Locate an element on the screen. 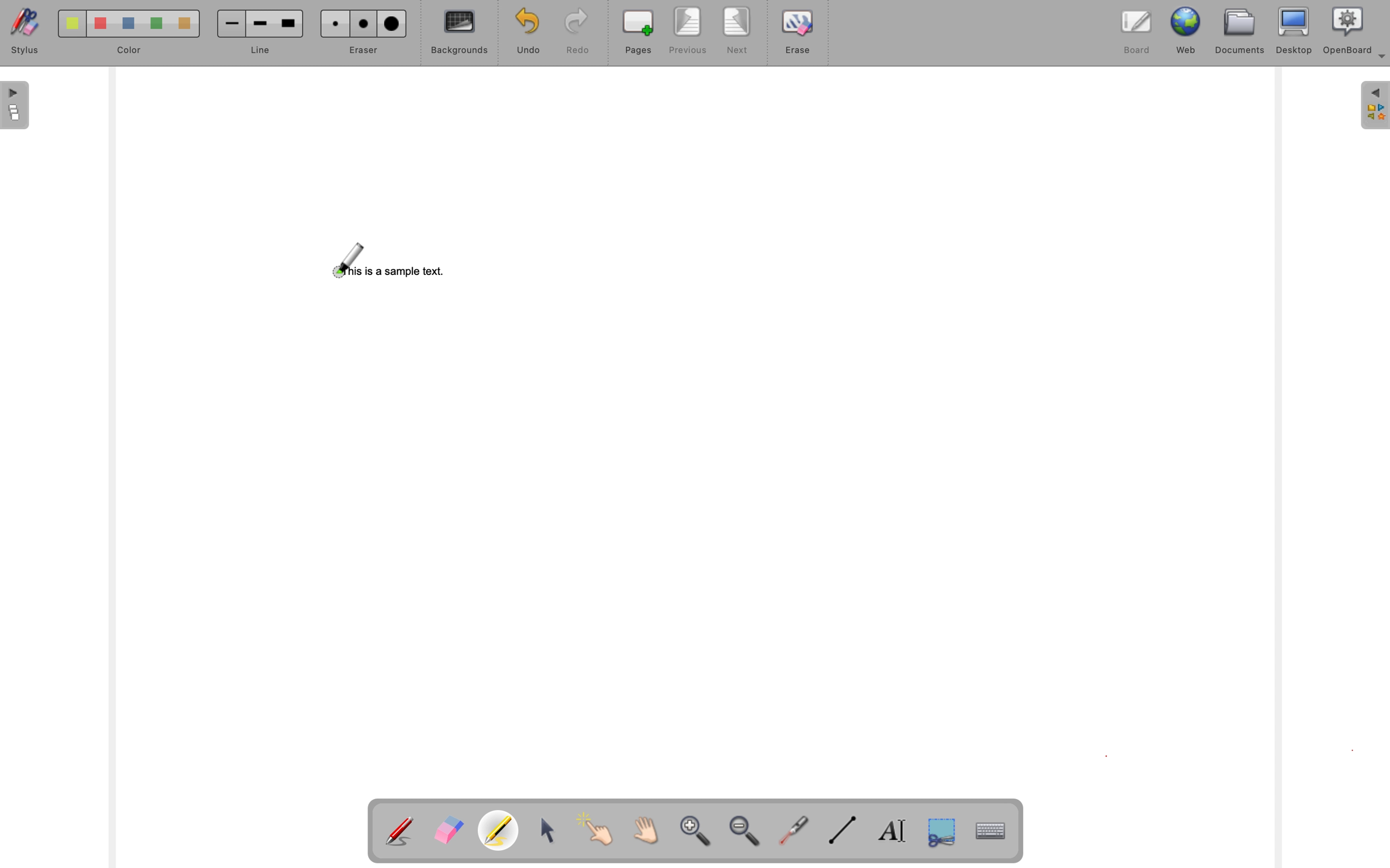 This screenshot has width=1390, height=868. documents is located at coordinates (1240, 33).